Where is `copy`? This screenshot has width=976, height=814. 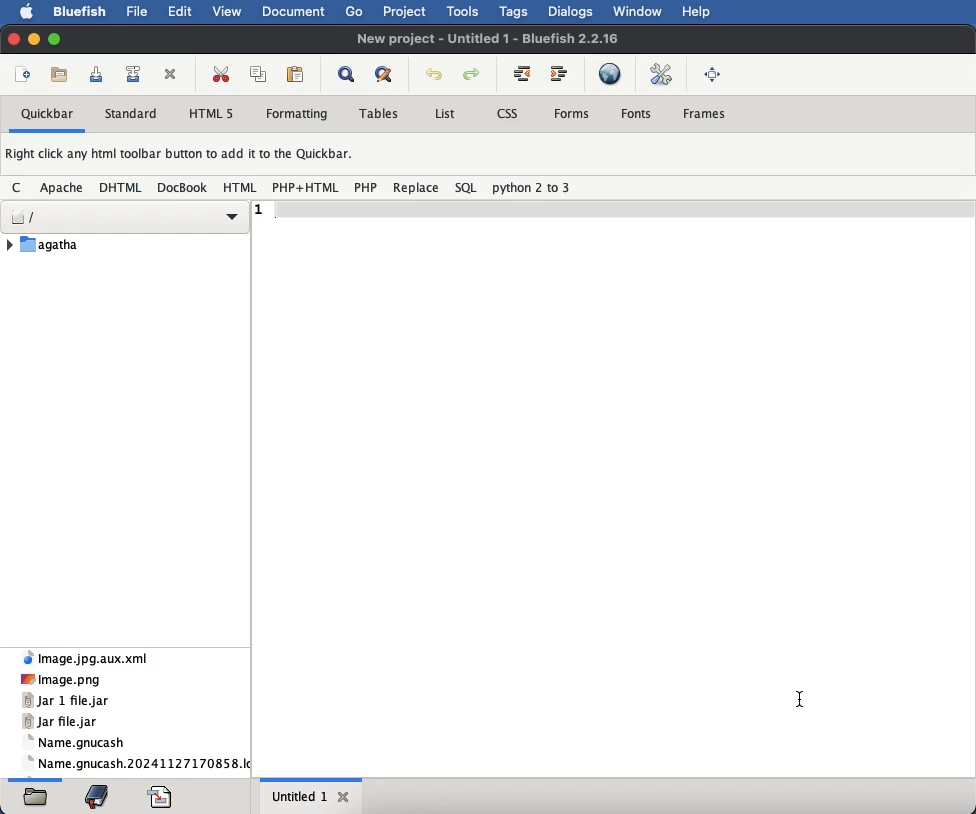 copy is located at coordinates (261, 75).